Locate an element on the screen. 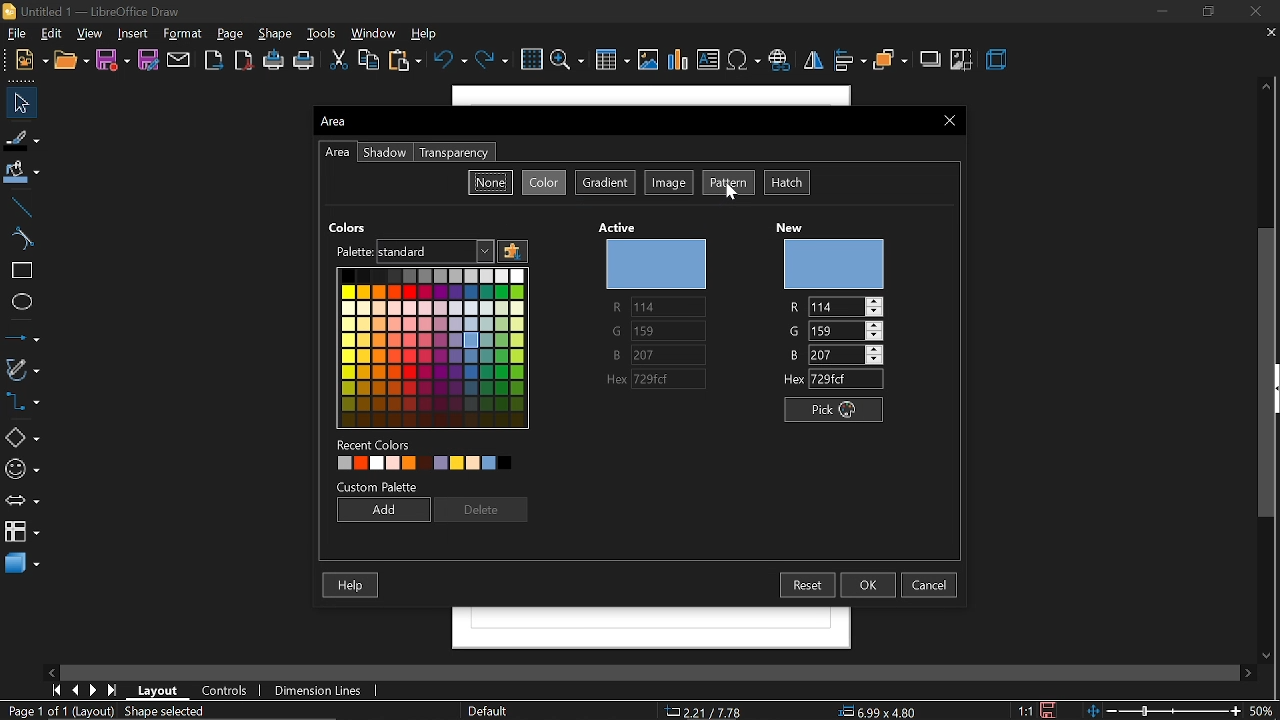 This screenshot has height=720, width=1280. grid is located at coordinates (533, 59).